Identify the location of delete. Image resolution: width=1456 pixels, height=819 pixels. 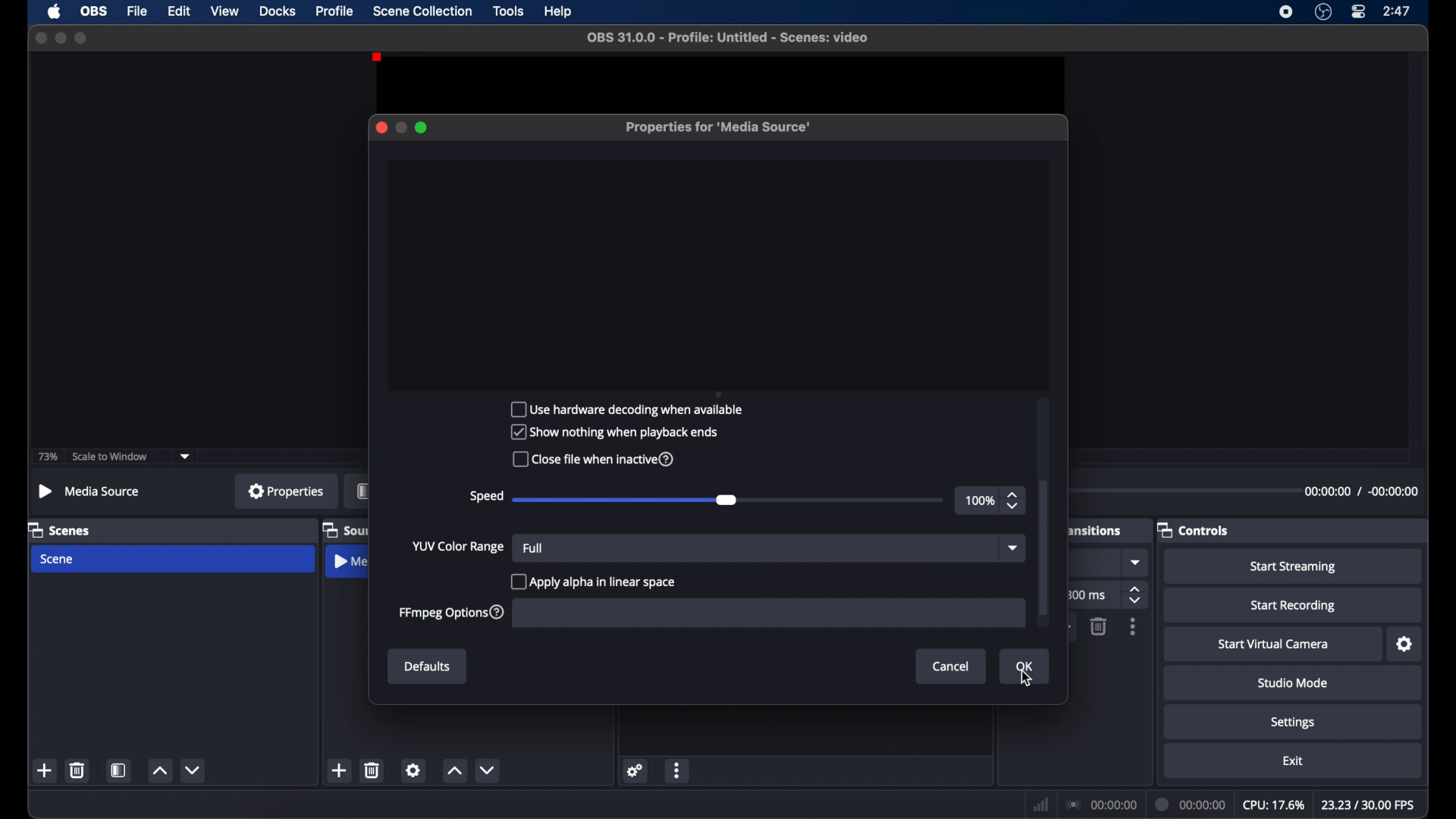
(1098, 626).